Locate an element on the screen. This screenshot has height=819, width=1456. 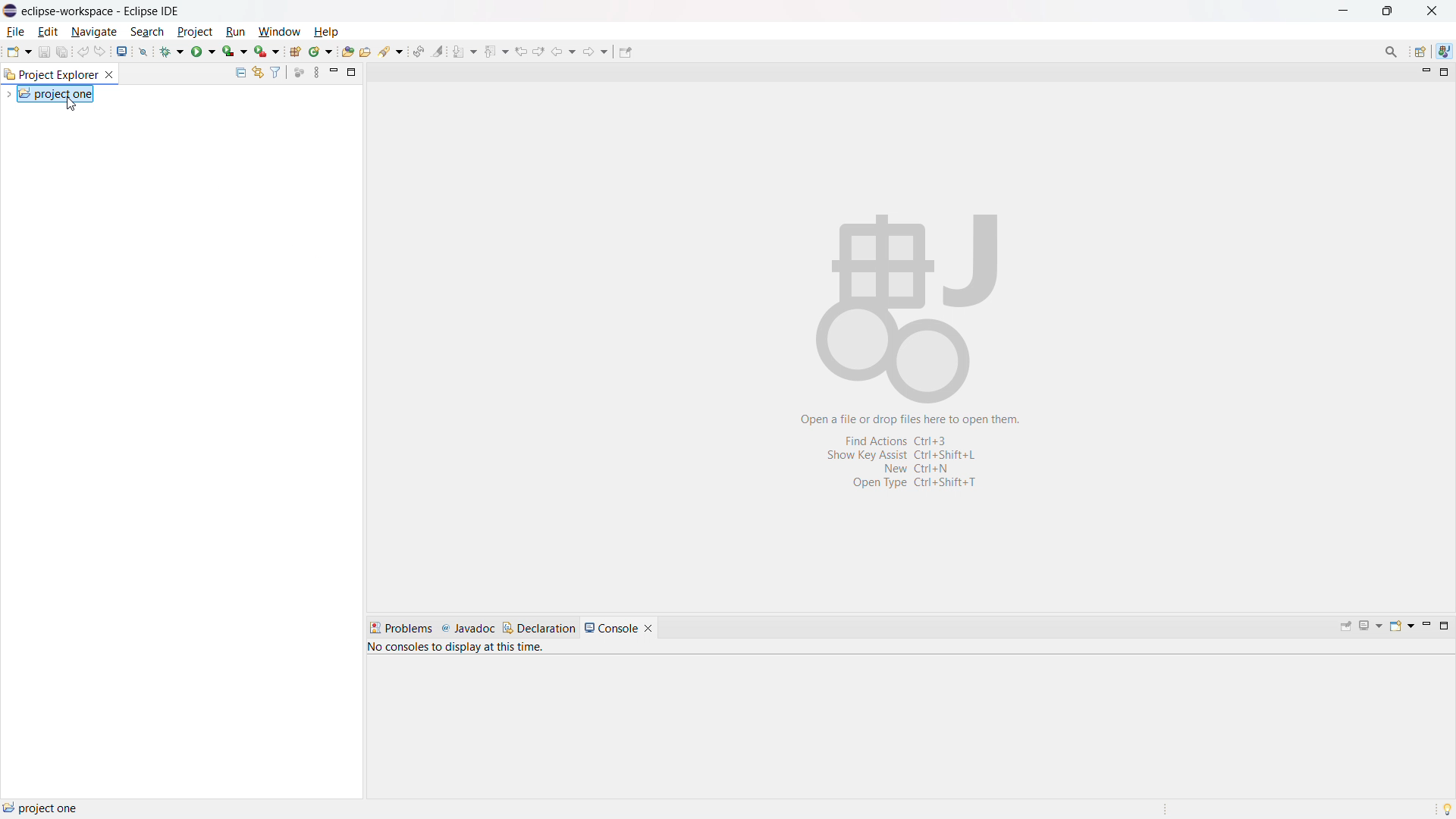
help is located at coordinates (325, 32).